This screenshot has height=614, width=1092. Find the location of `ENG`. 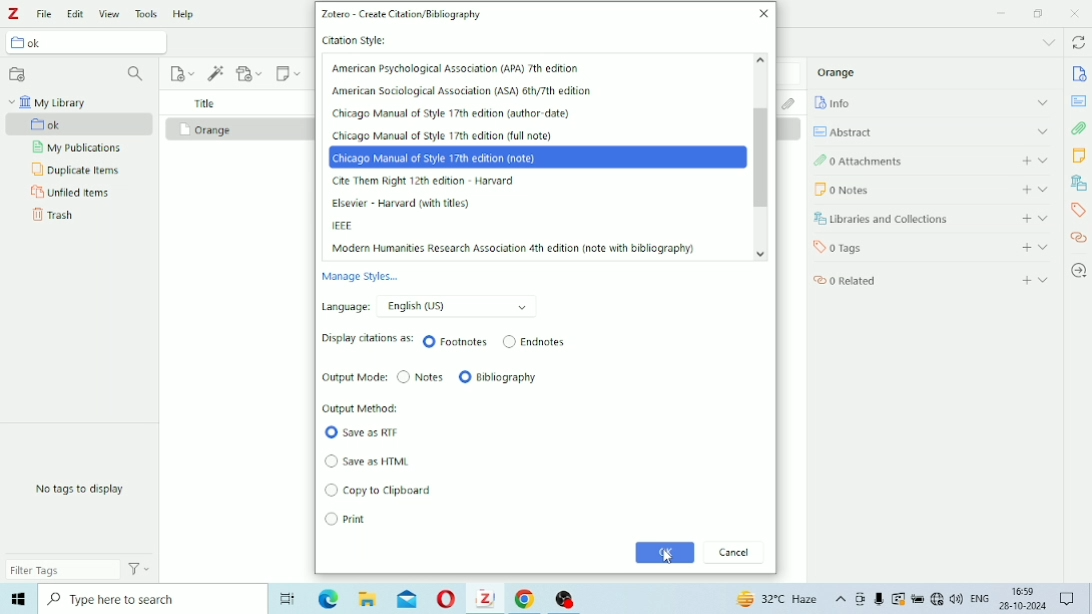

ENG is located at coordinates (980, 597).